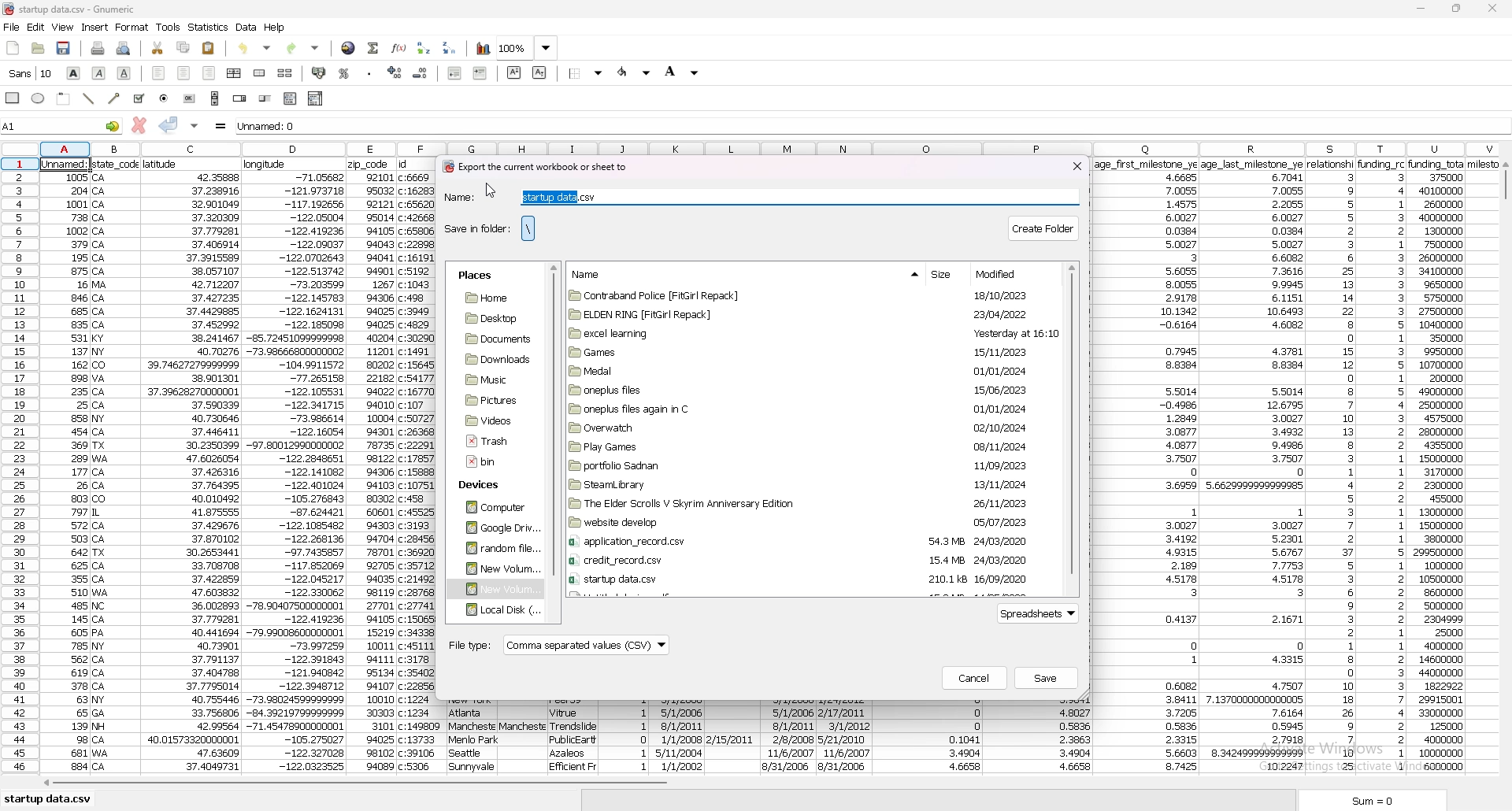 This screenshot has width=1512, height=811. Describe the element at coordinates (498, 568) in the screenshot. I see `folder` at that location.